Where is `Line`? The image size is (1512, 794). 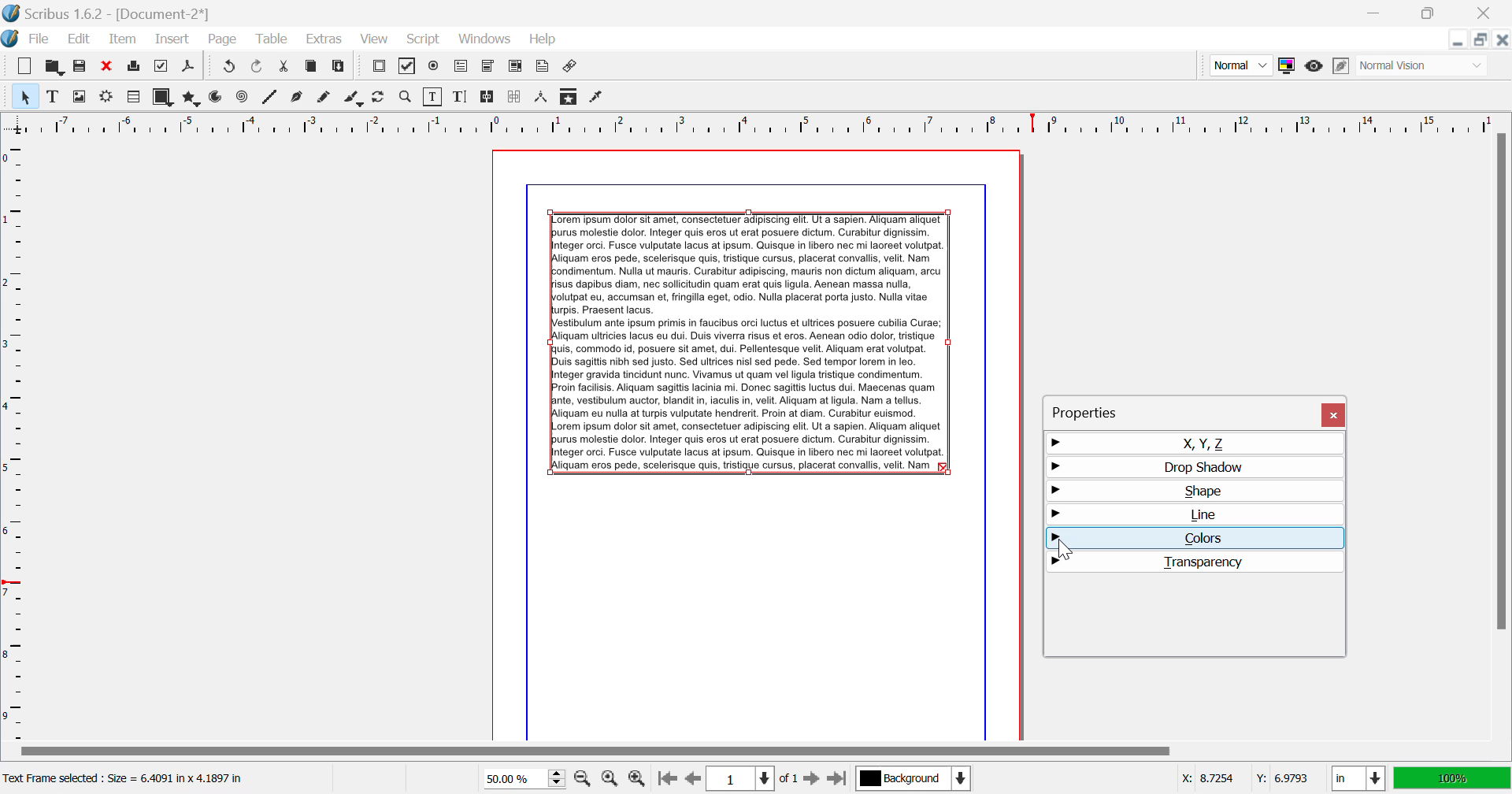
Line is located at coordinates (270, 98).